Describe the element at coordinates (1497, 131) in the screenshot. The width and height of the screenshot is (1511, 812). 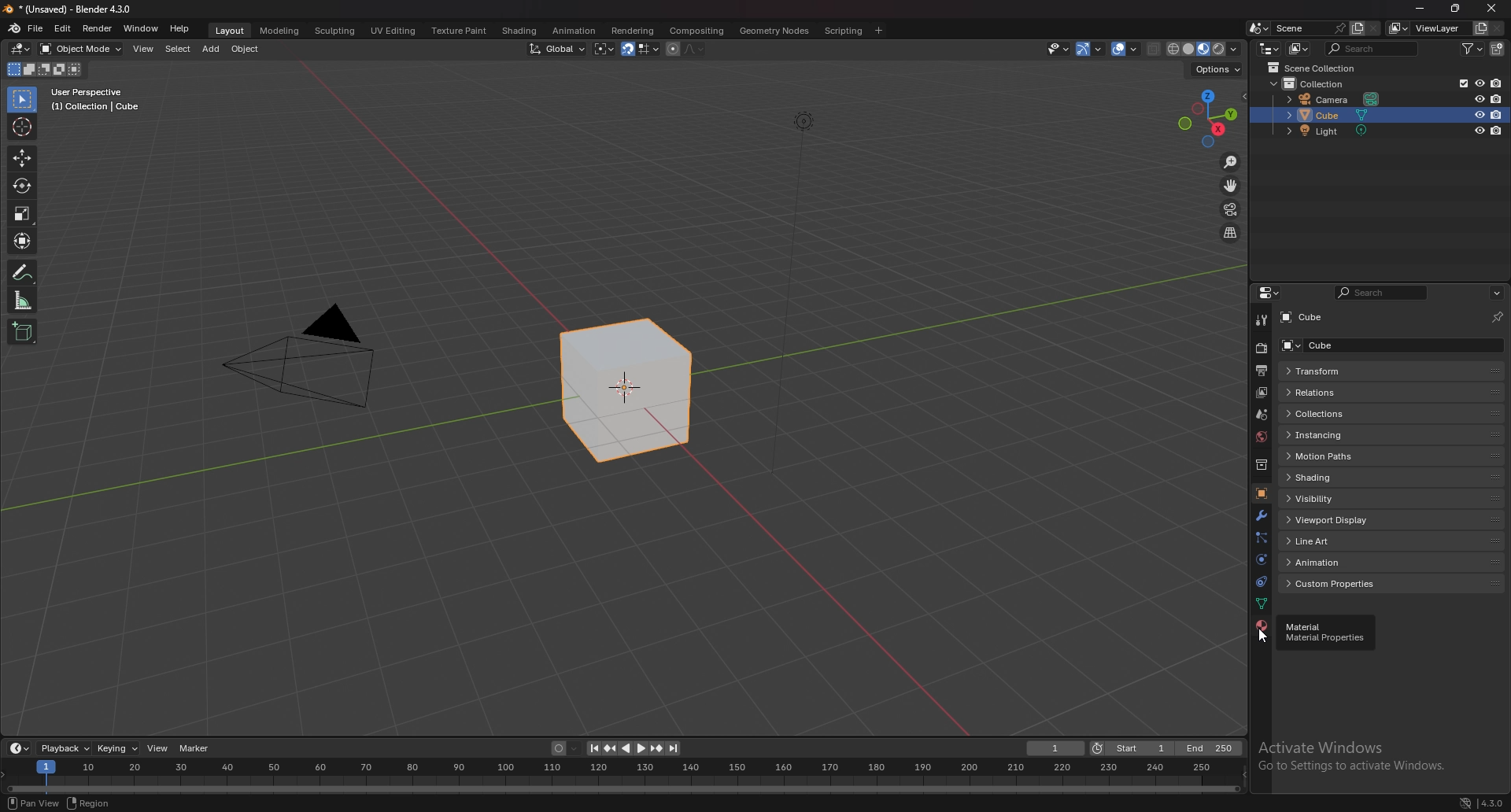
I see `disable in renders` at that location.